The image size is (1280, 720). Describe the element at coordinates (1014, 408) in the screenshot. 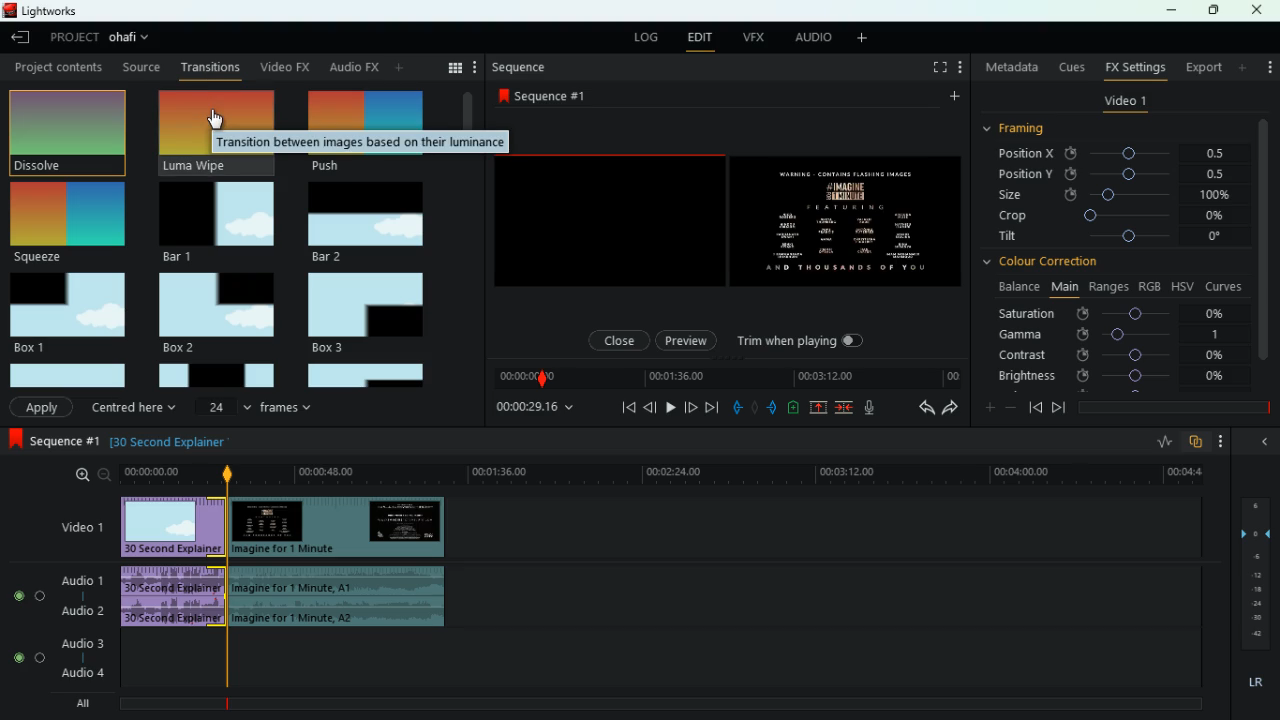

I see `minus` at that location.